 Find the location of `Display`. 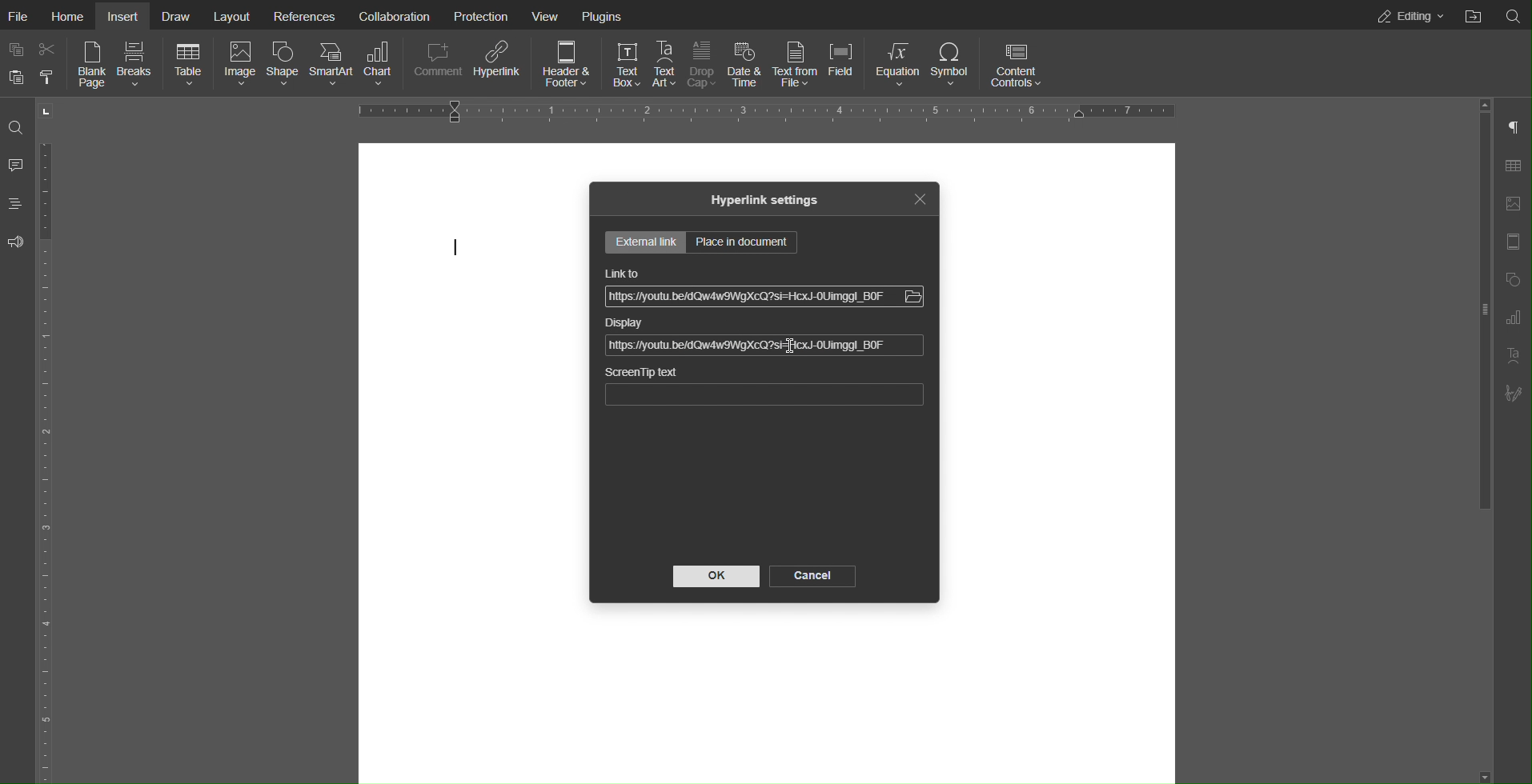

Display is located at coordinates (626, 324).